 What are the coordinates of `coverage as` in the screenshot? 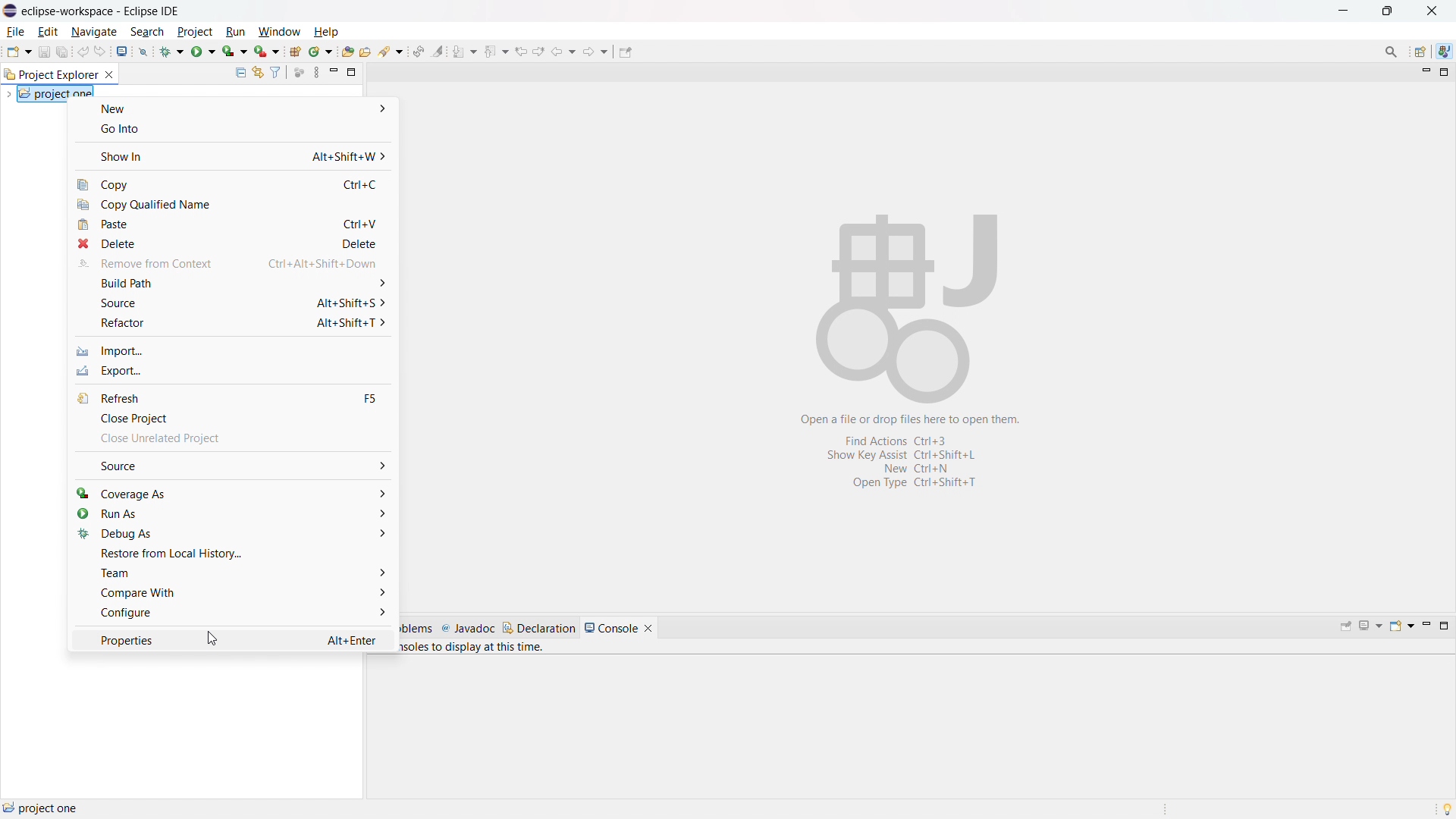 It's located at (232, 492).